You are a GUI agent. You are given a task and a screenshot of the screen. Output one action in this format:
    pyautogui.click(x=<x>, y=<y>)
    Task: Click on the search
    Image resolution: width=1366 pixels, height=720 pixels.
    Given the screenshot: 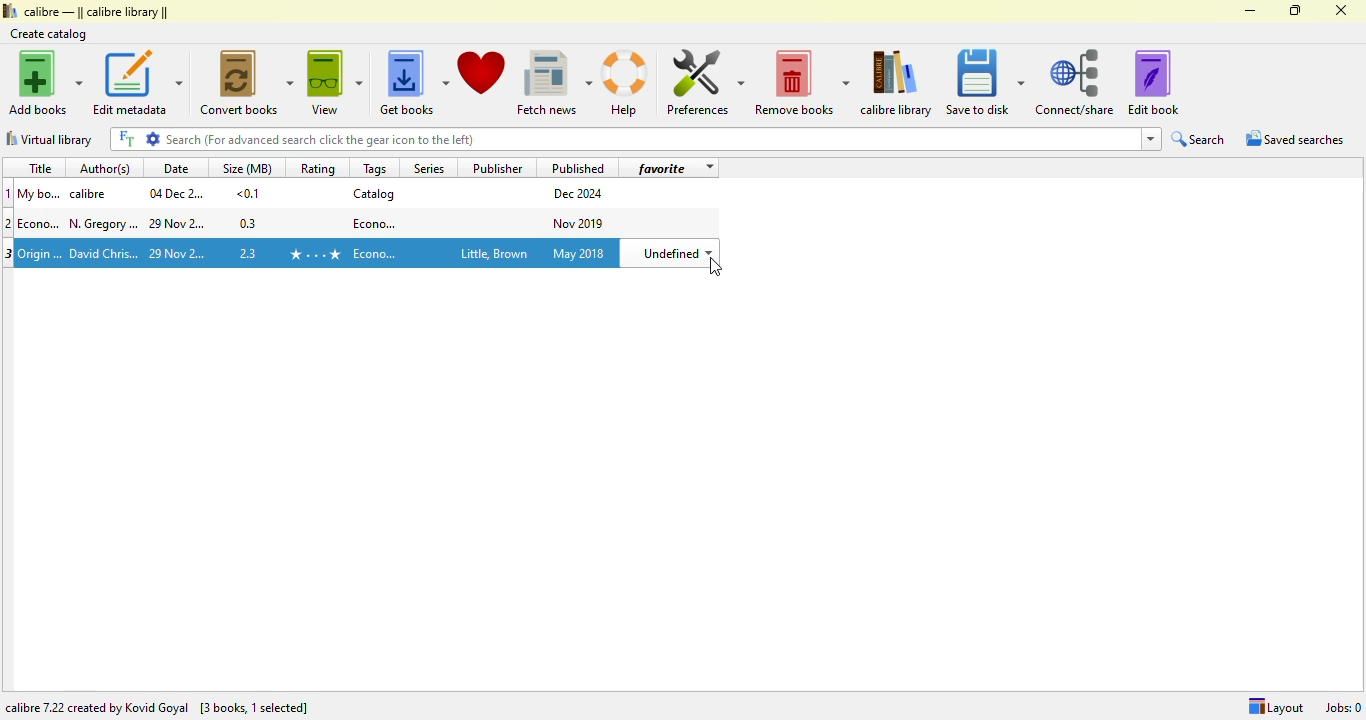 What is the action you would take?
    pyautogui.click(x=650, y=139)
    